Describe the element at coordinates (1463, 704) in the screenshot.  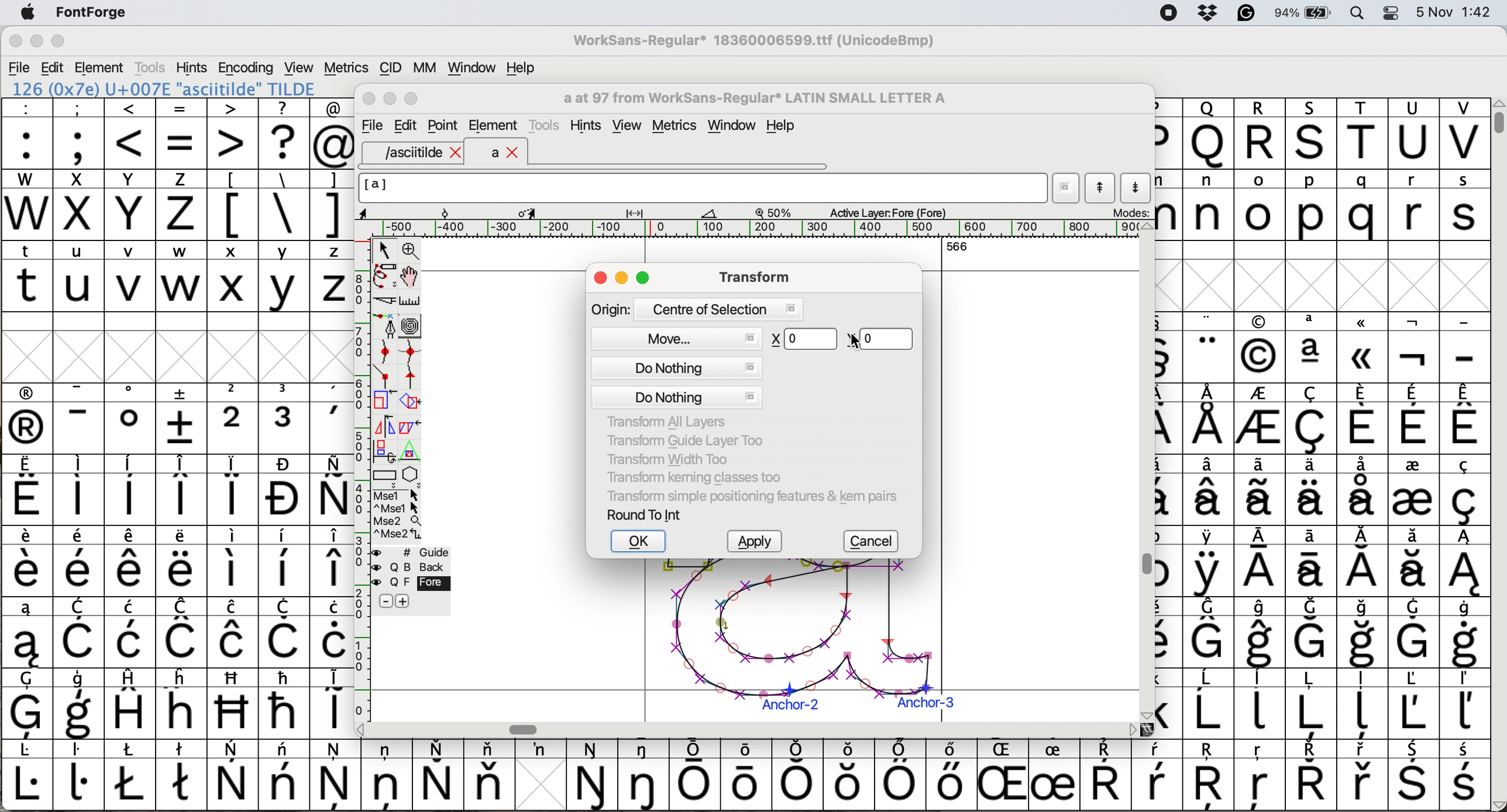
I see `symbol` at that location.